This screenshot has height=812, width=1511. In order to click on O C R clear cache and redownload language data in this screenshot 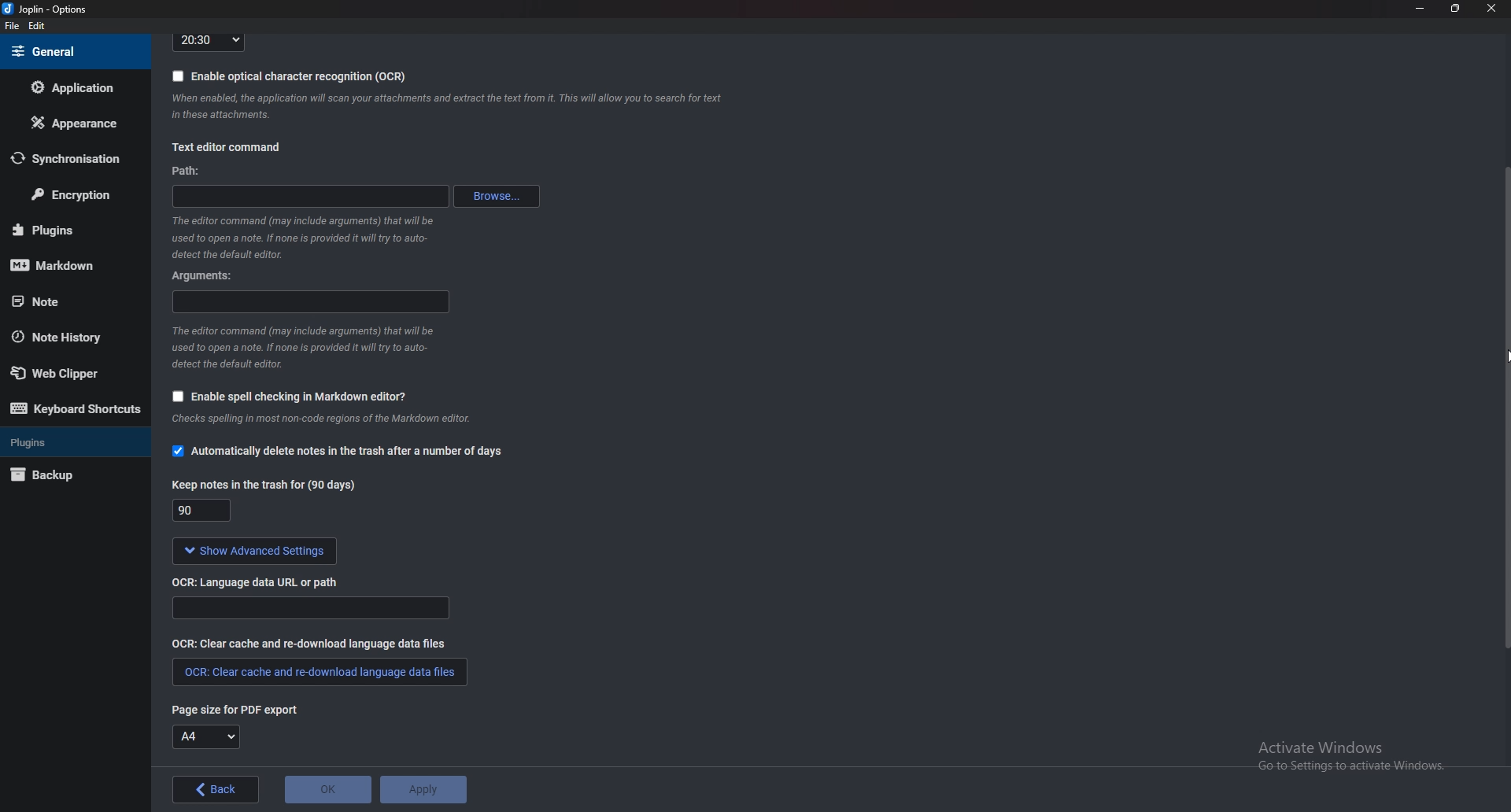, I will do `click(318, 672)`.